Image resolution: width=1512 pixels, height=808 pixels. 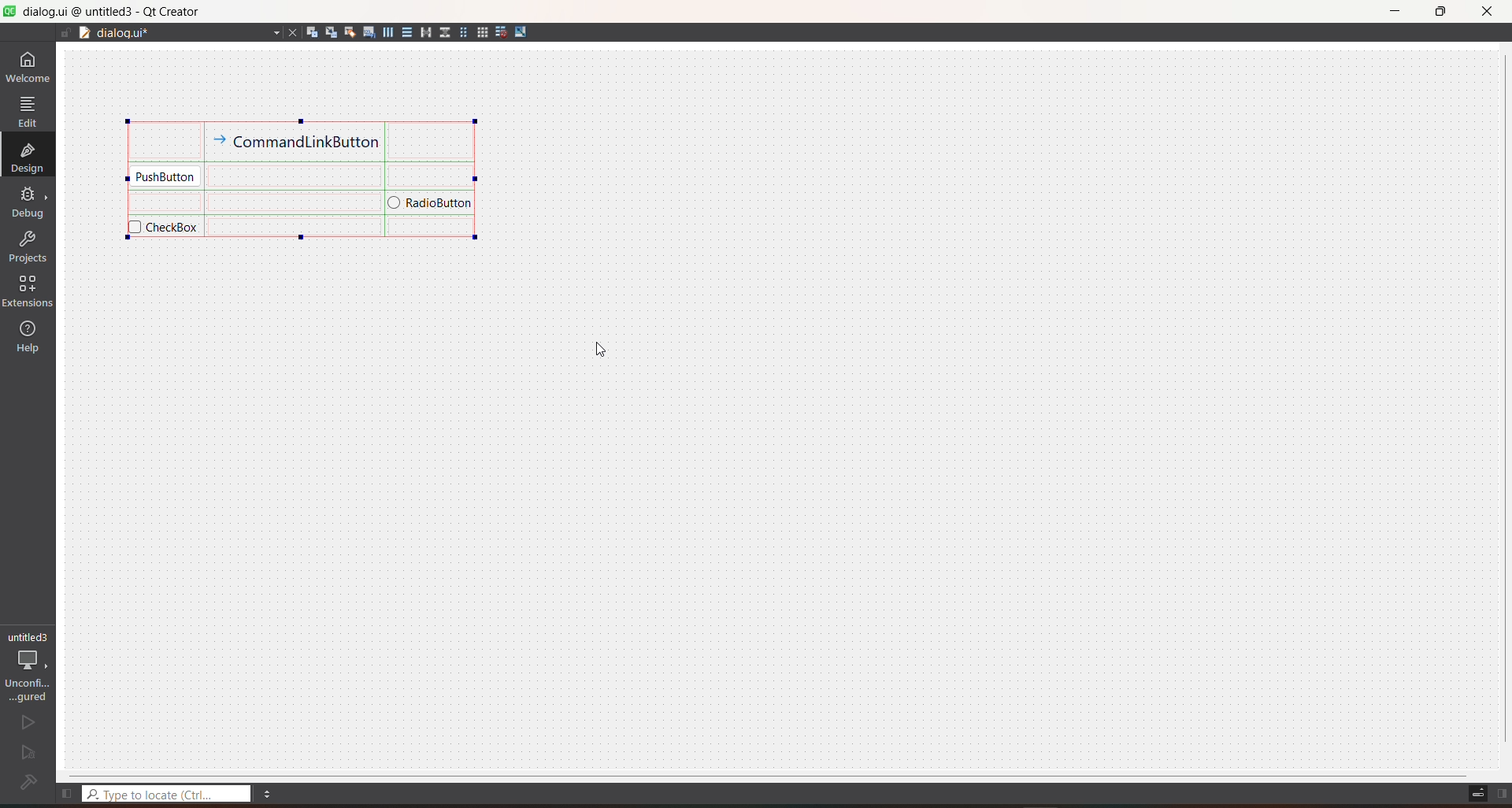 I want to click on layout horizontal splitter, so click(x=423, y=32).